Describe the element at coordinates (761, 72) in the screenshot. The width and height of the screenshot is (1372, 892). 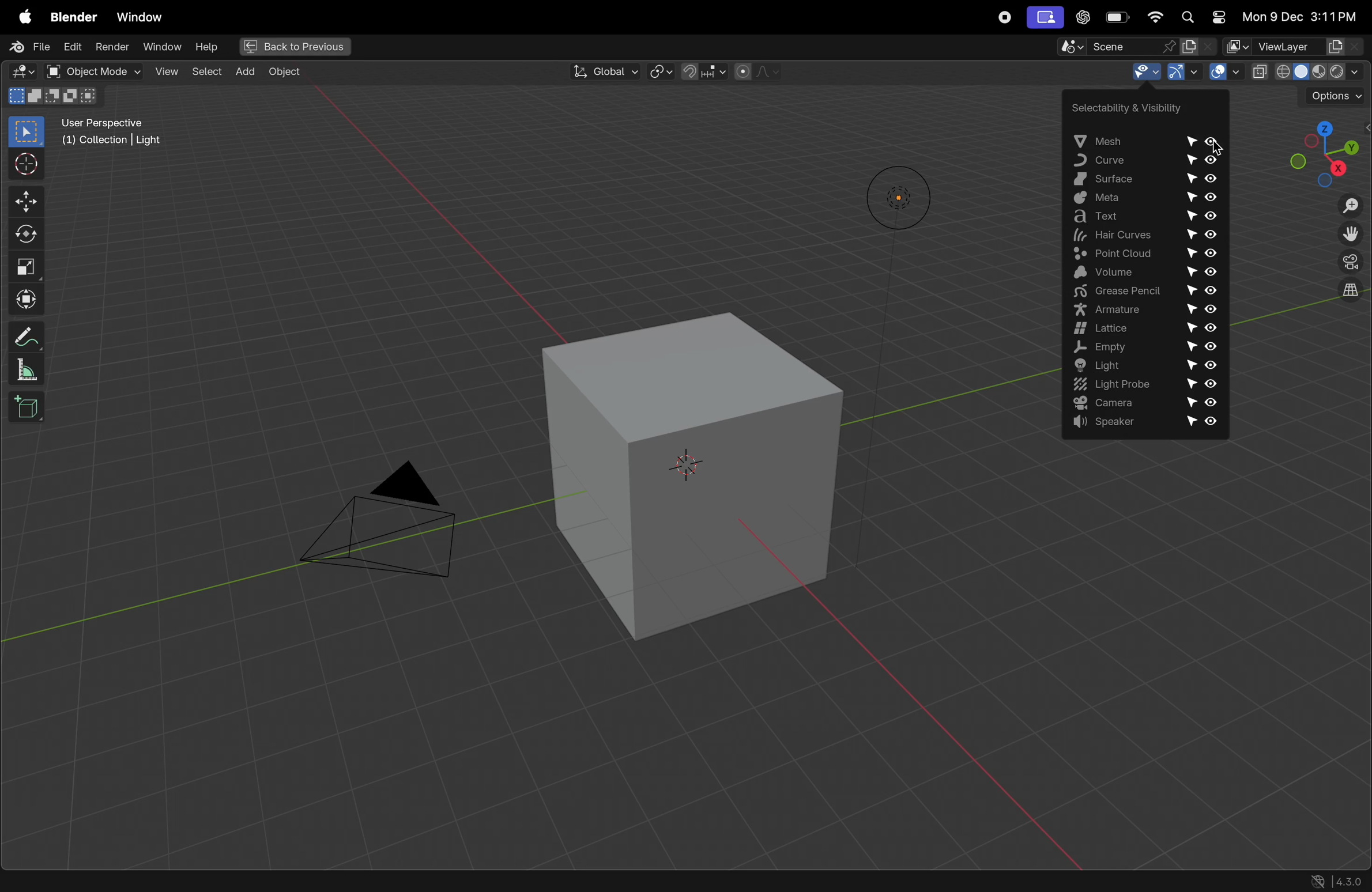
I see `falloff` at that location.